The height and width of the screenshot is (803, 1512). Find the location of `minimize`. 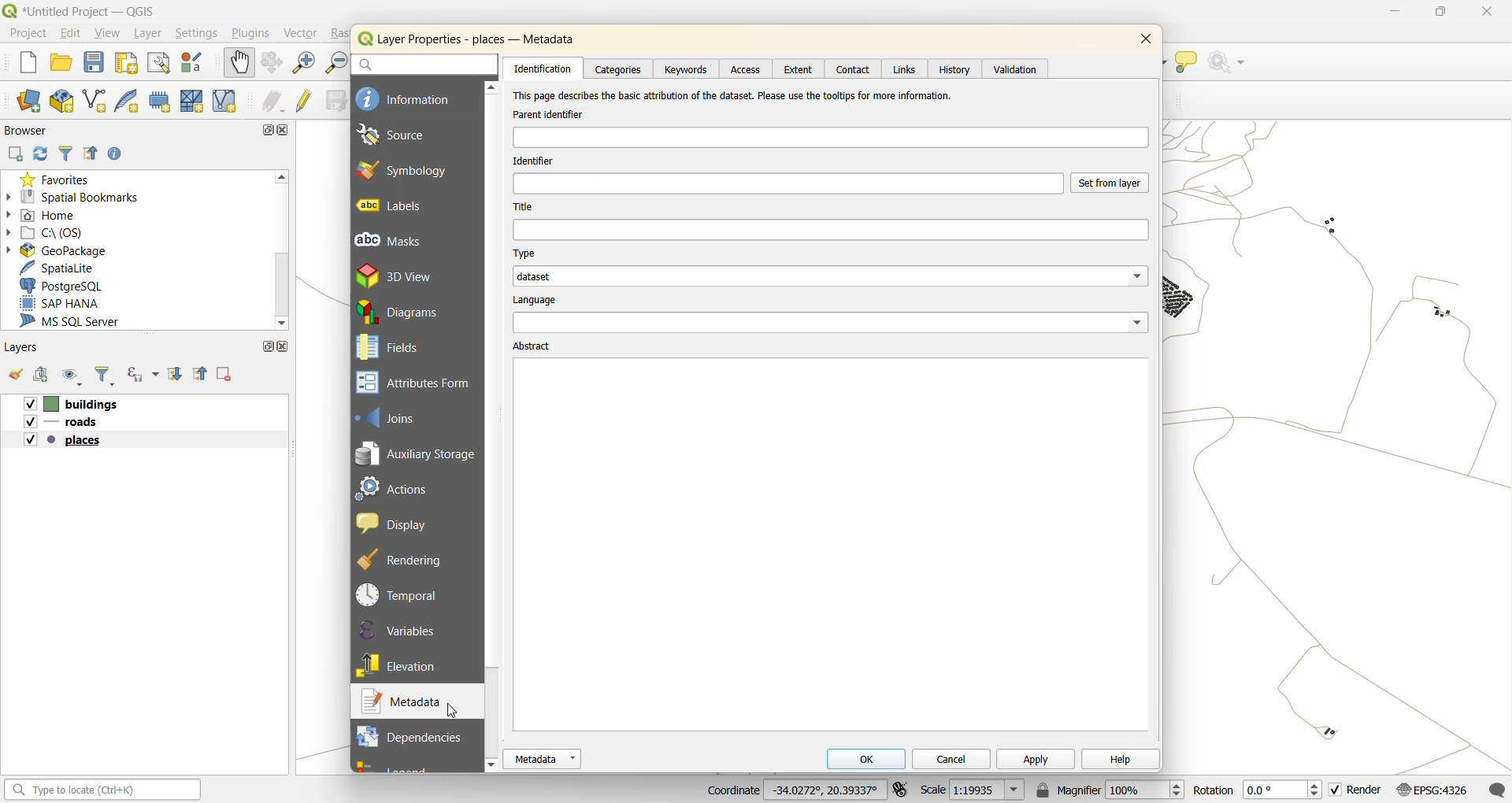

minimize is located at coordinates (1401, 11).